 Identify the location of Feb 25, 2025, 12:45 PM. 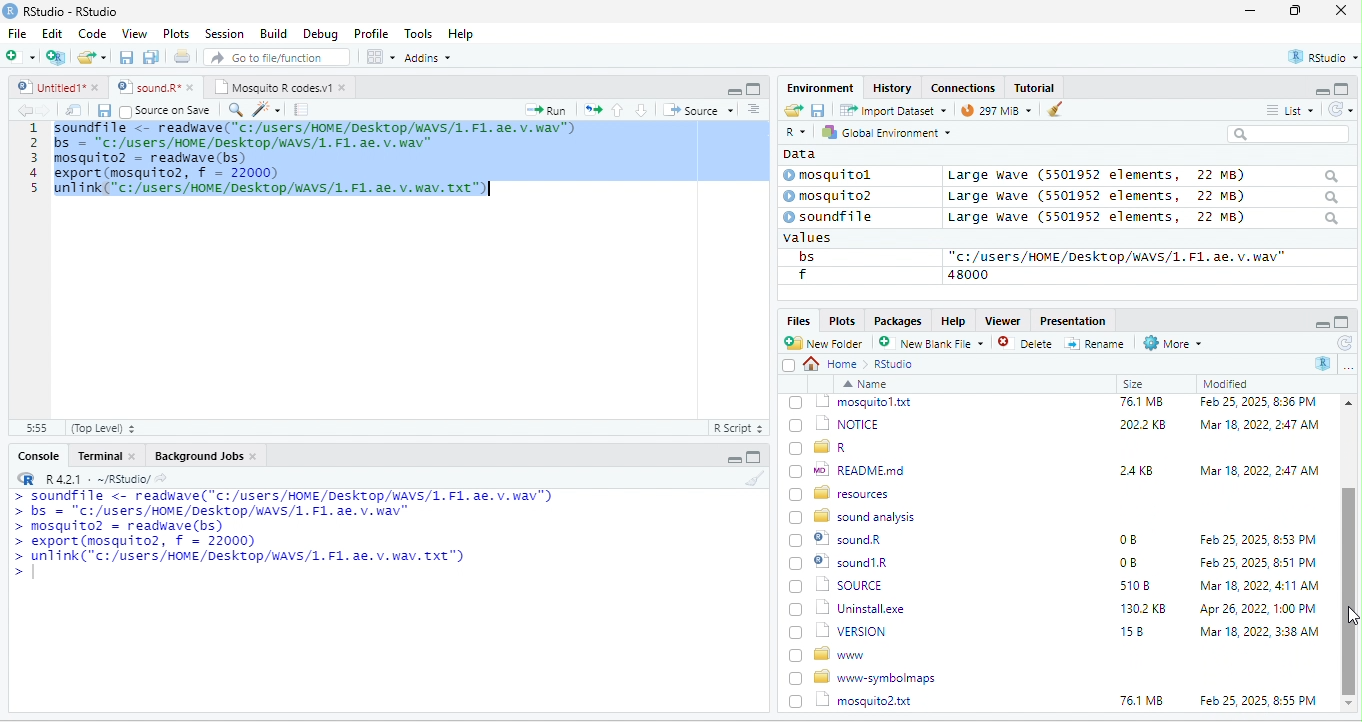
(1261, 431).